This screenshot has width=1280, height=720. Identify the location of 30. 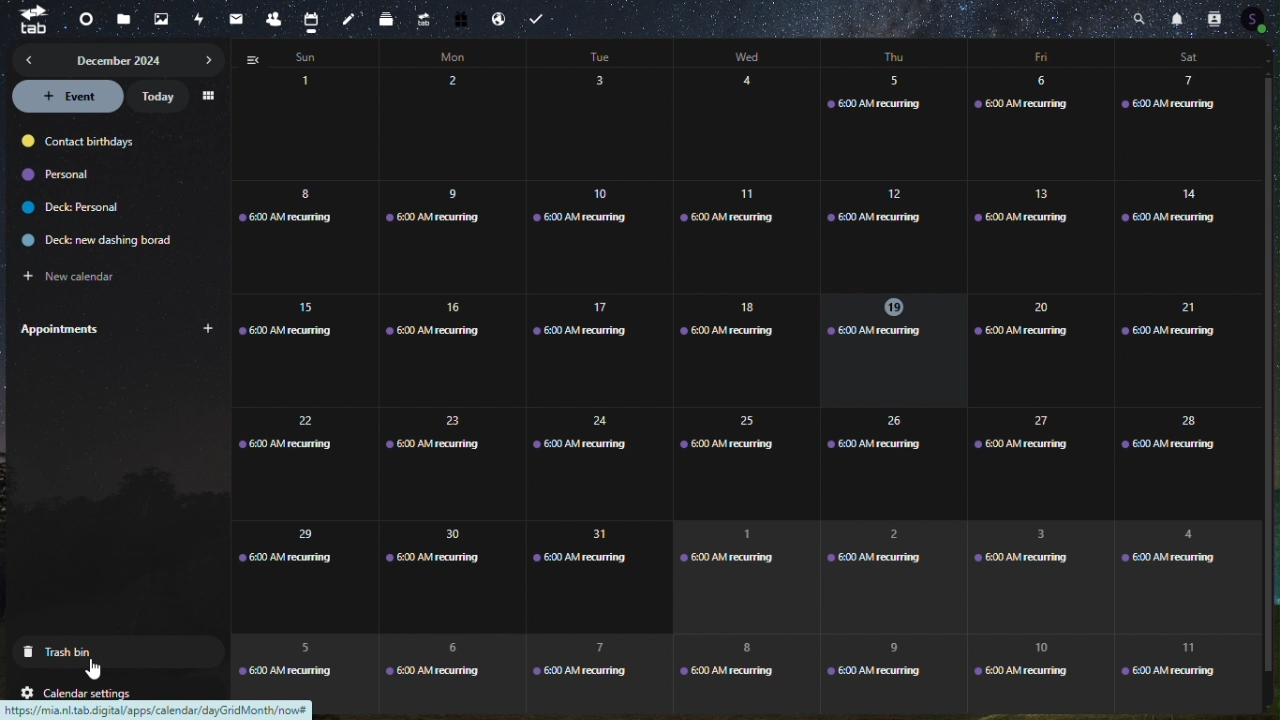
(438, 574).